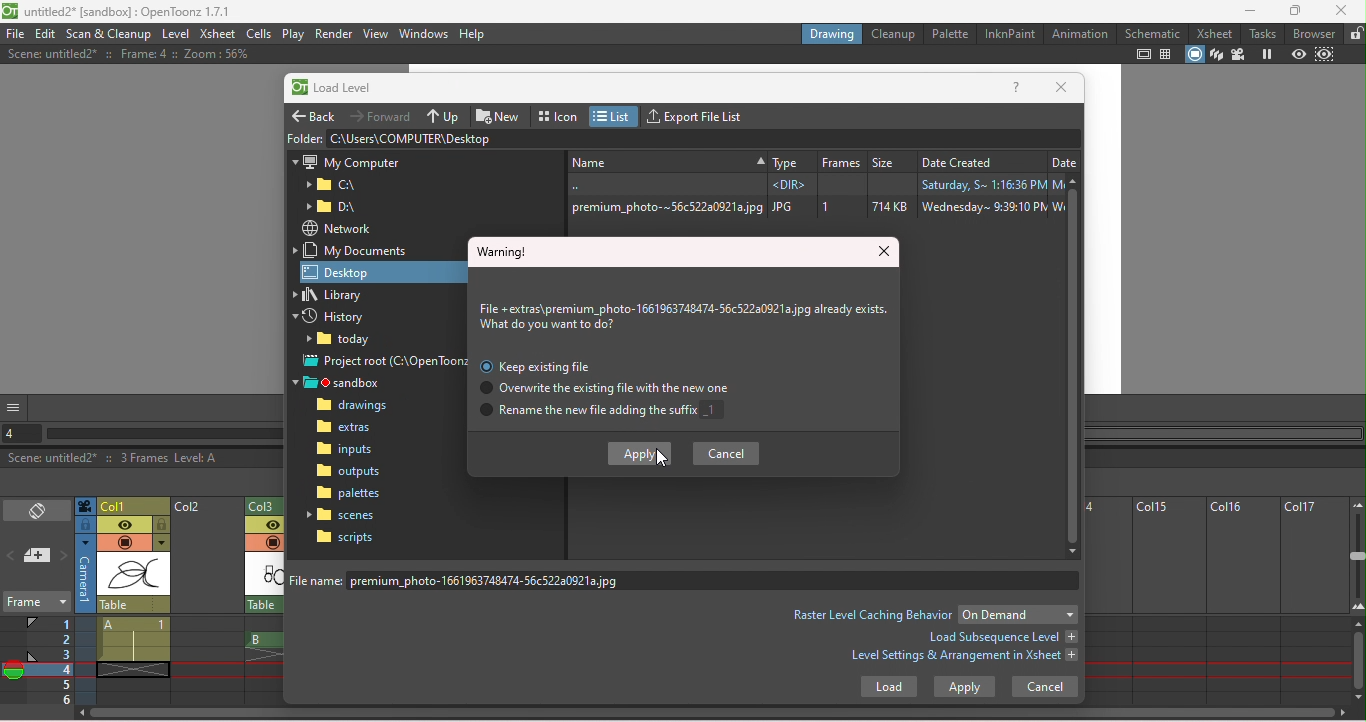 The width and height of the screenshot is (1366, 722). Describe the element at coordinates (272, 542) in the screenshot. I see `camera stand visibility toggle` at that location.